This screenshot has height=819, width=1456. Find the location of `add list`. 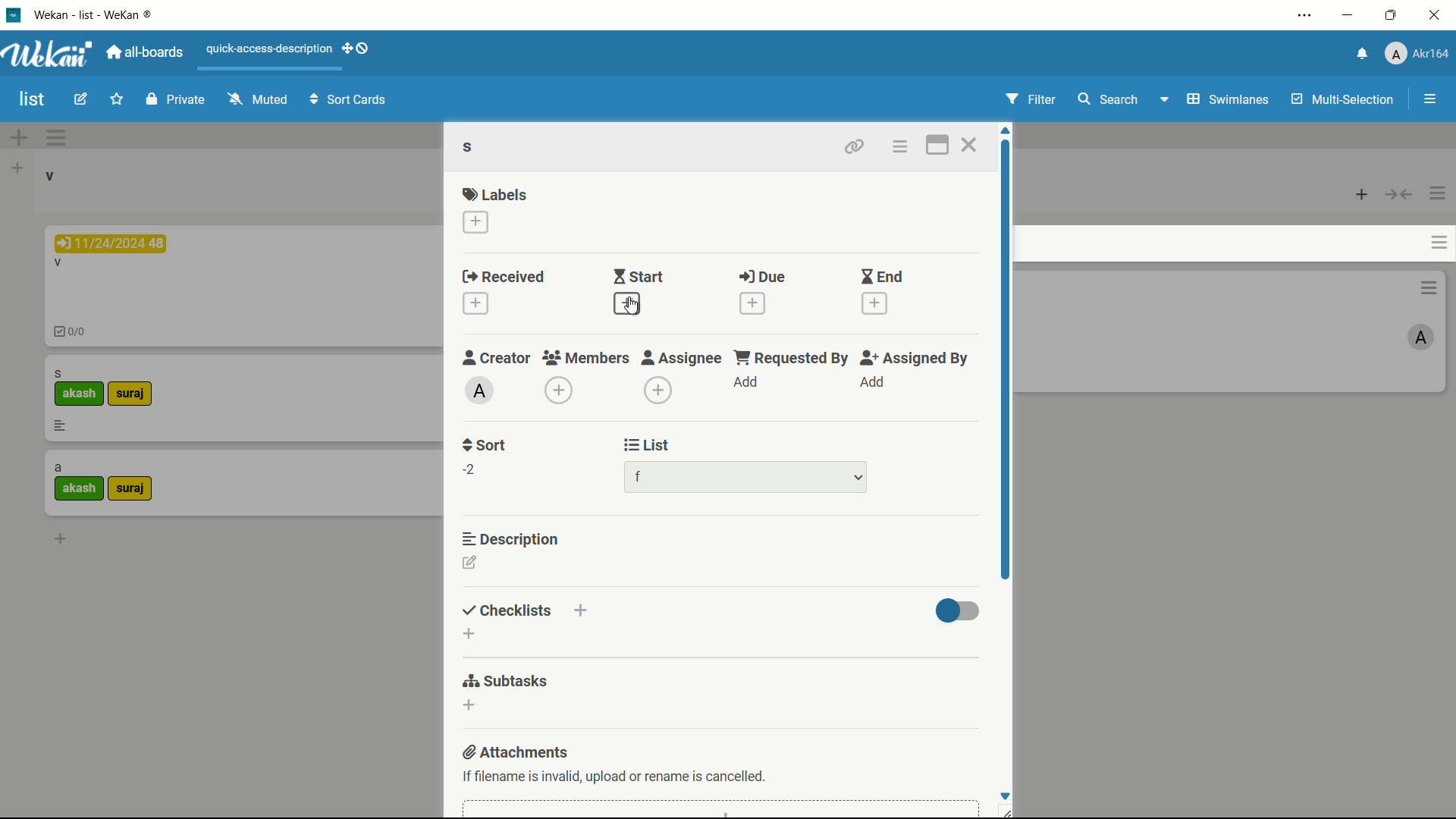

add list is located at coordinates (17, 169).